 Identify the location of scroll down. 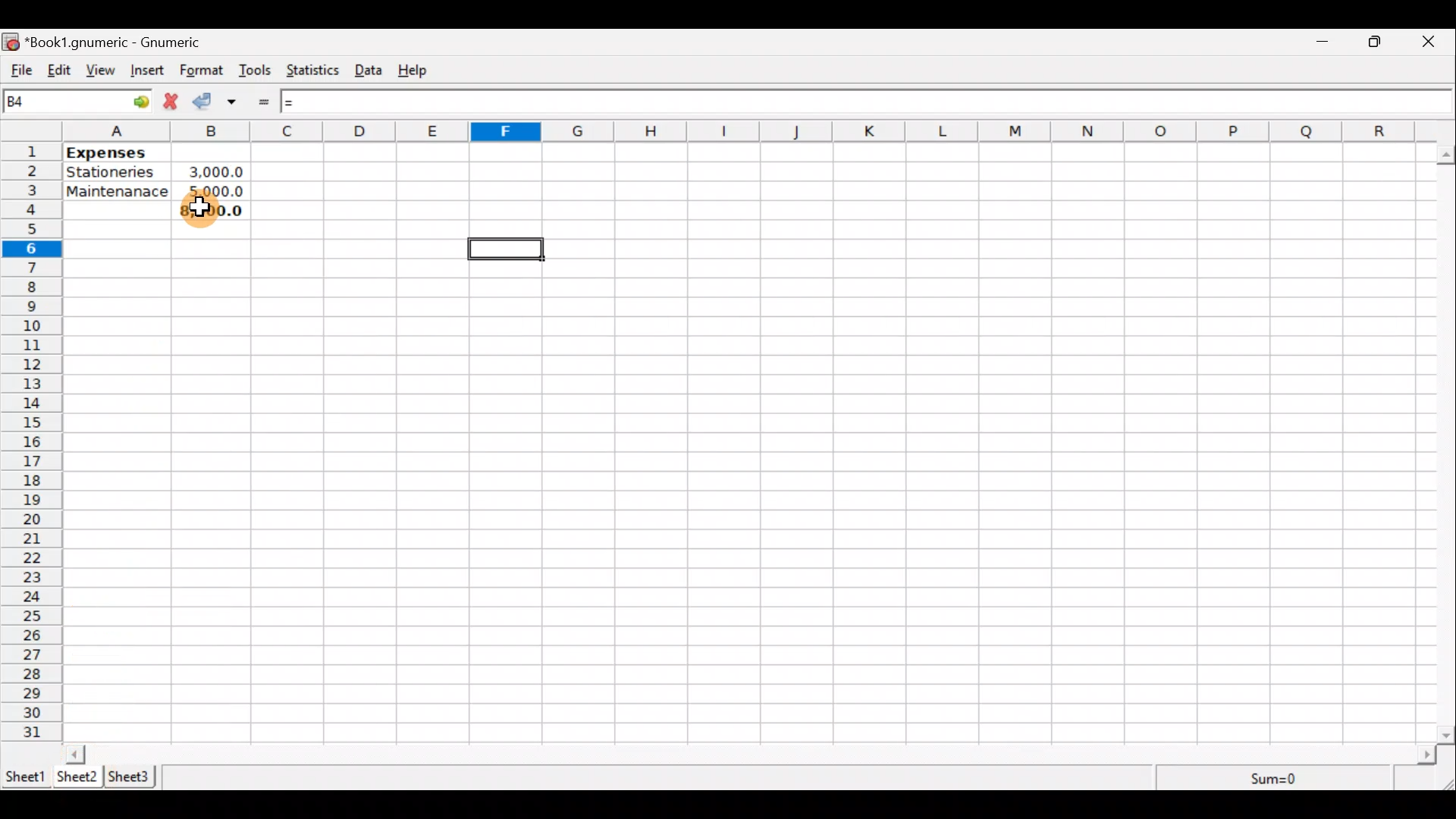
(1447, 735).